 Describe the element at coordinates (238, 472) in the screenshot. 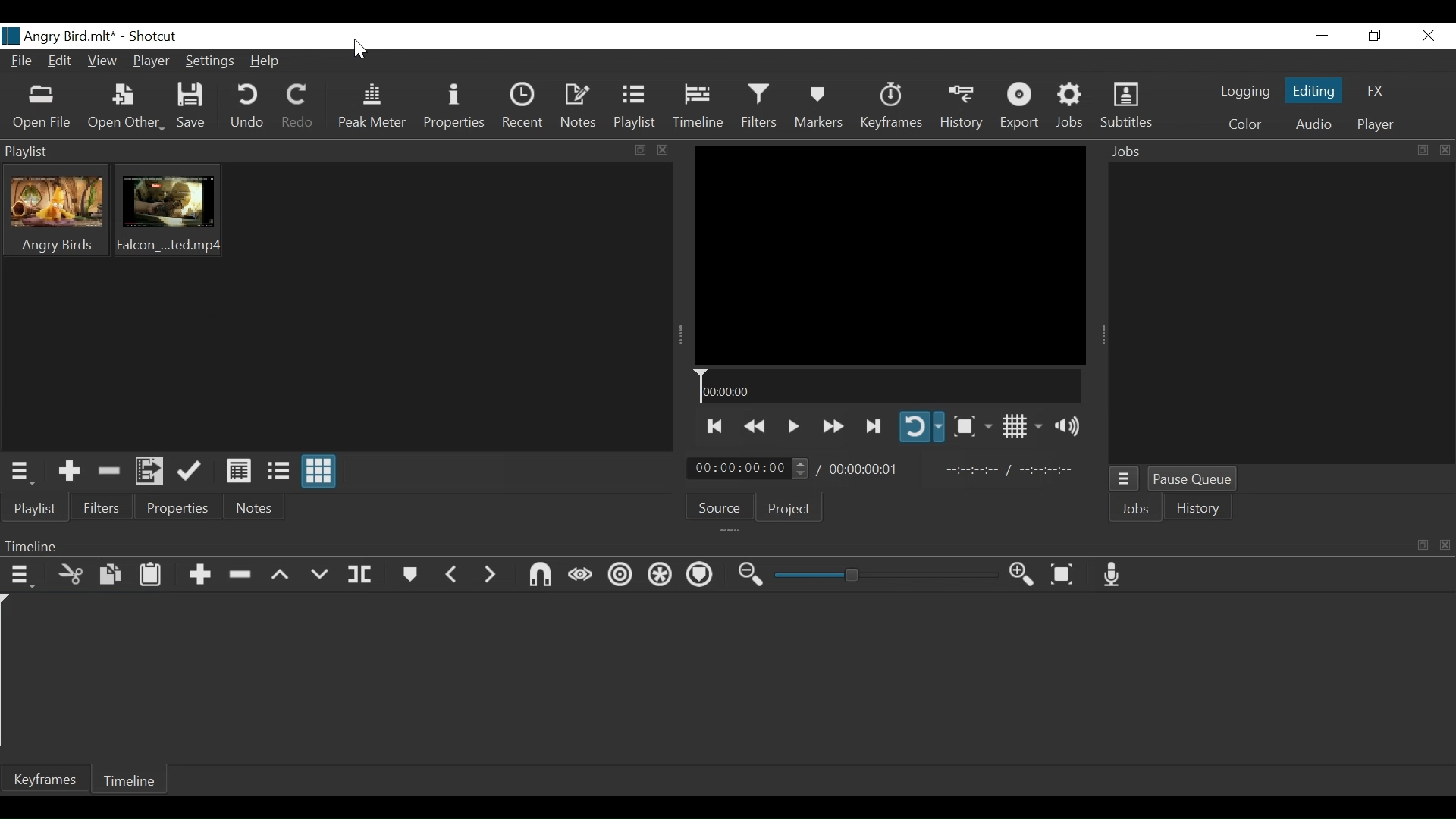

I see `View as Detail` at that location.